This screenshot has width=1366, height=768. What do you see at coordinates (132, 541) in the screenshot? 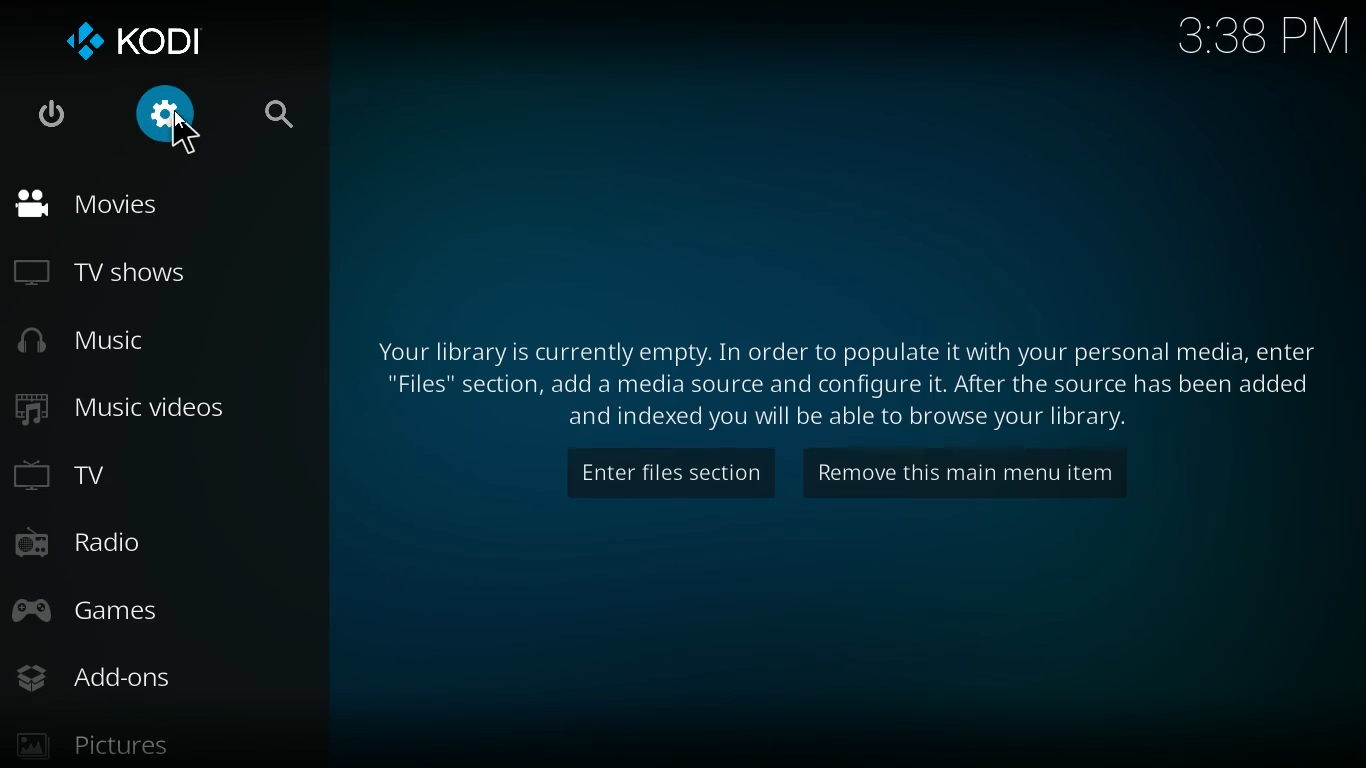
I see `radio` at bounding box center [132, 541].